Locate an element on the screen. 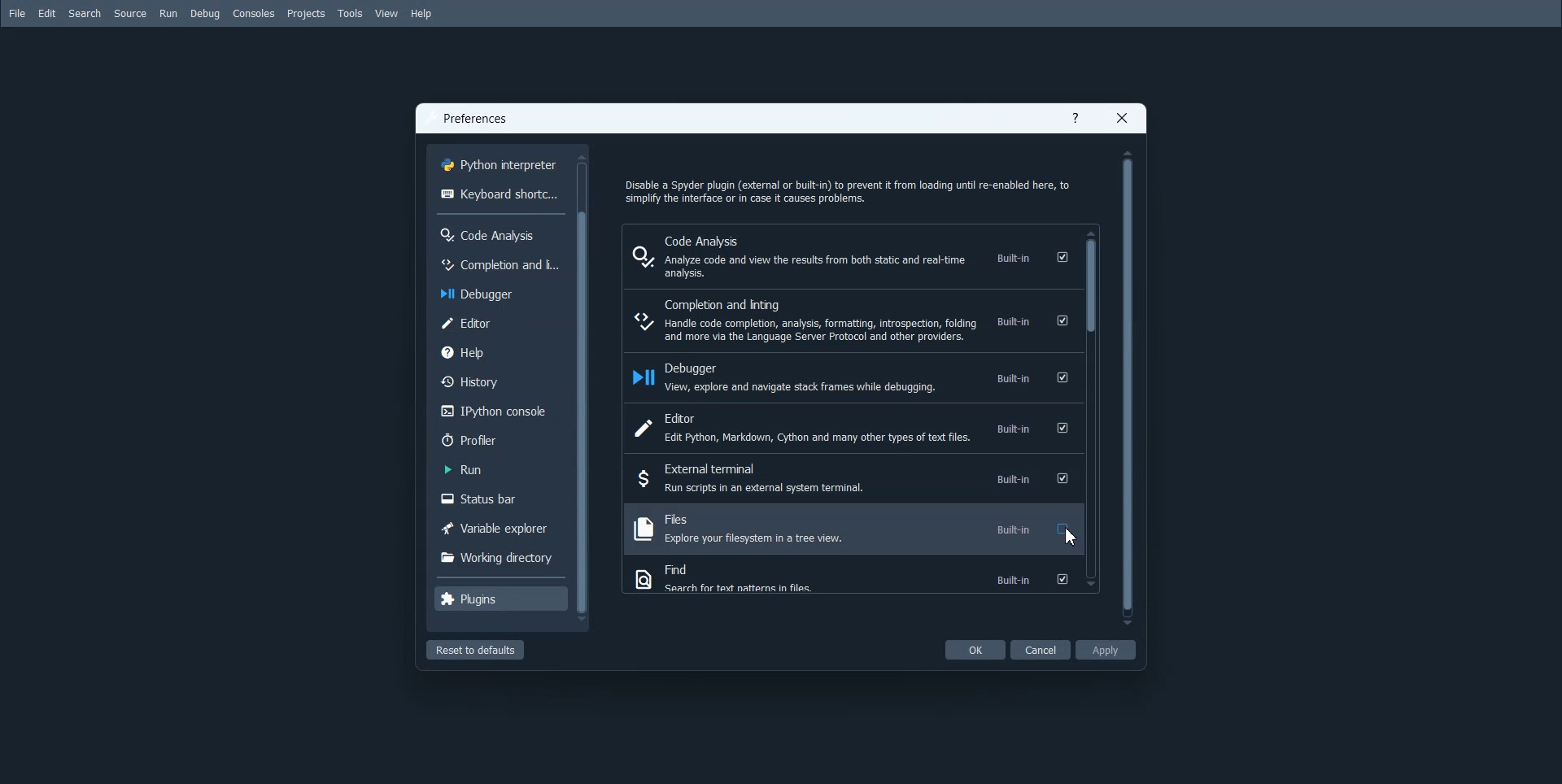 The height and width of the screenshot is (784, 1562). Editor is located at coordinates (499, 322).